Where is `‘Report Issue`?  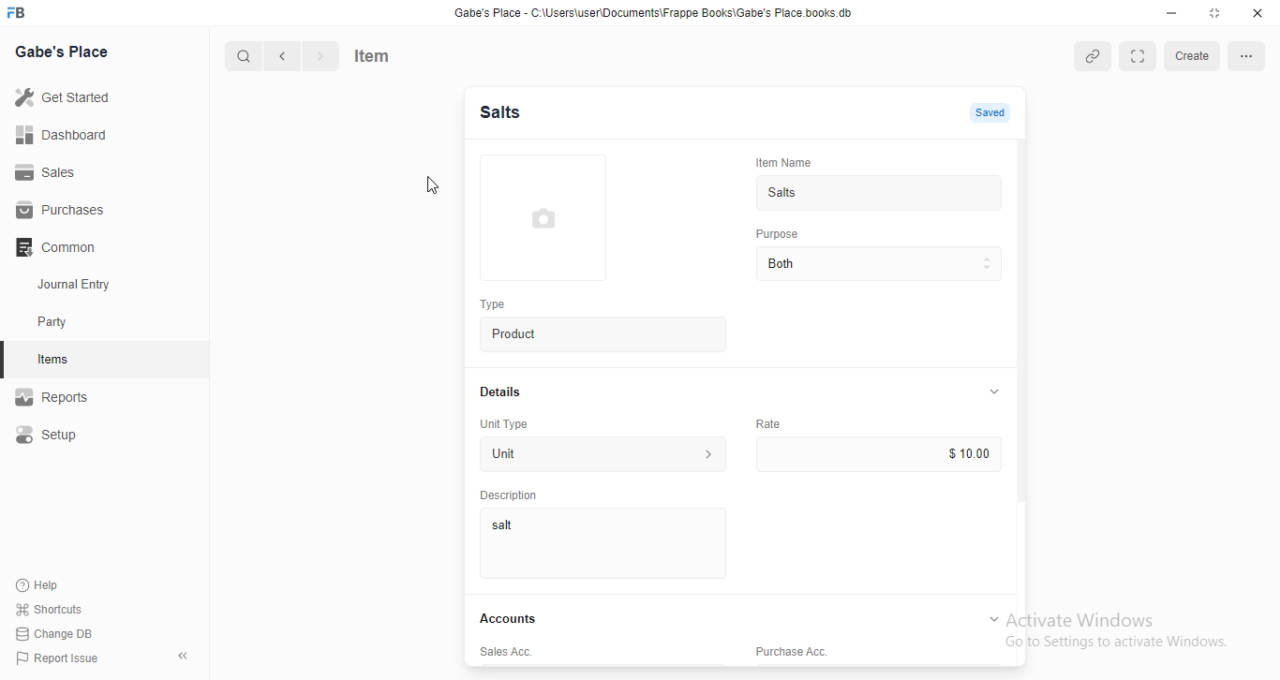
‘Report Issue is located at coordinates (61, 658).